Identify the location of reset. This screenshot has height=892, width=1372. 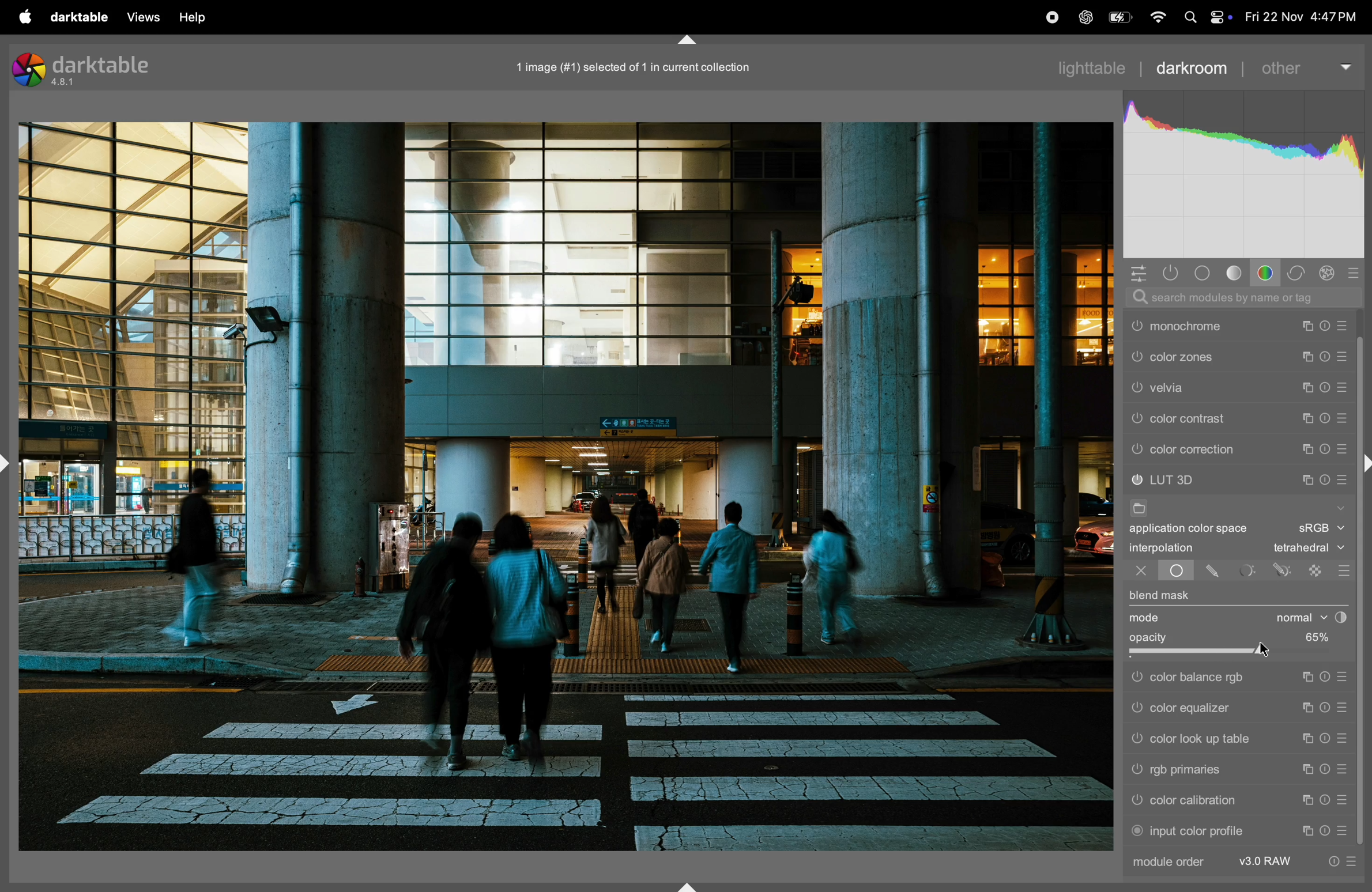
(1326, 738).